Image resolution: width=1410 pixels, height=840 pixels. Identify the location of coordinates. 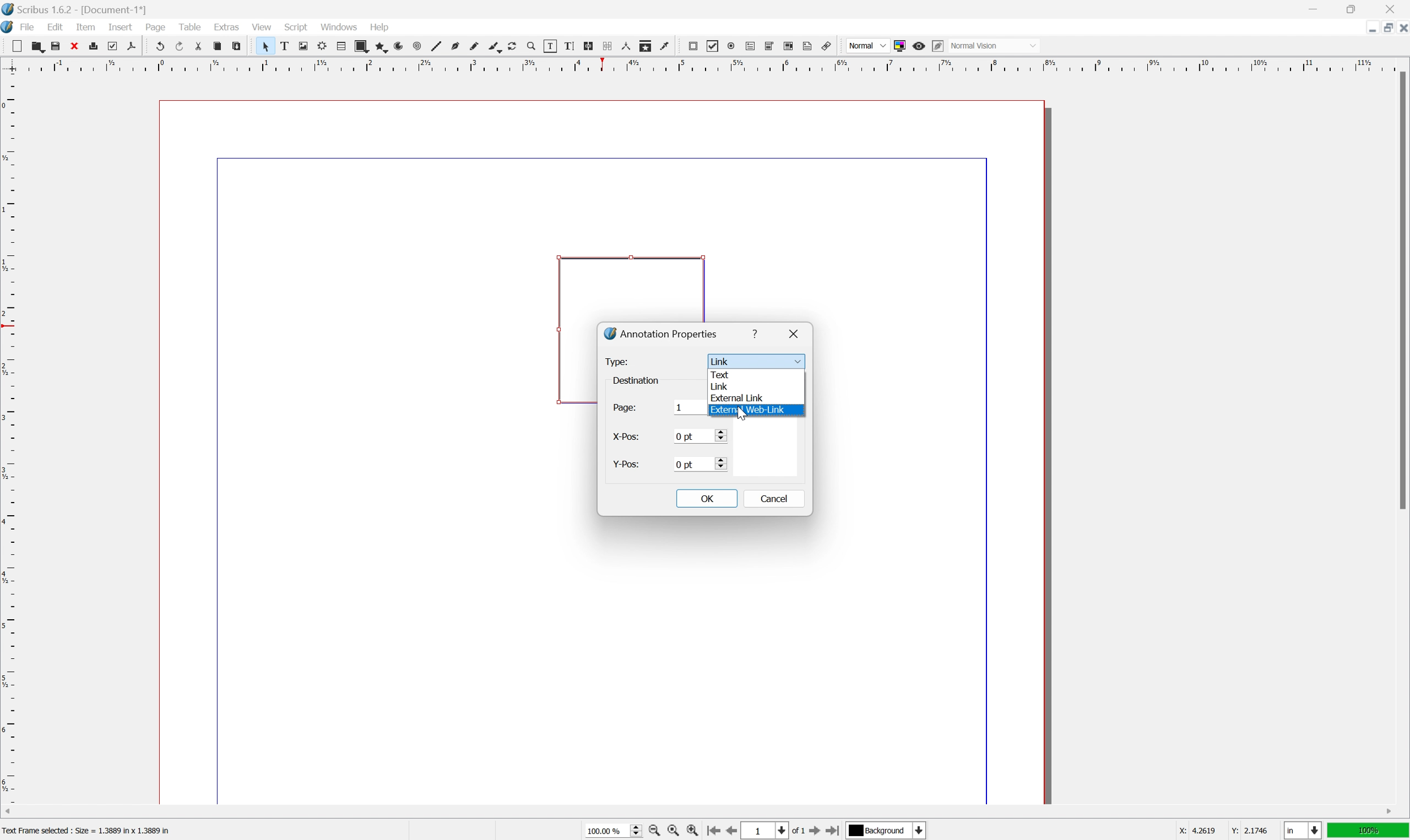
(1225, 831).